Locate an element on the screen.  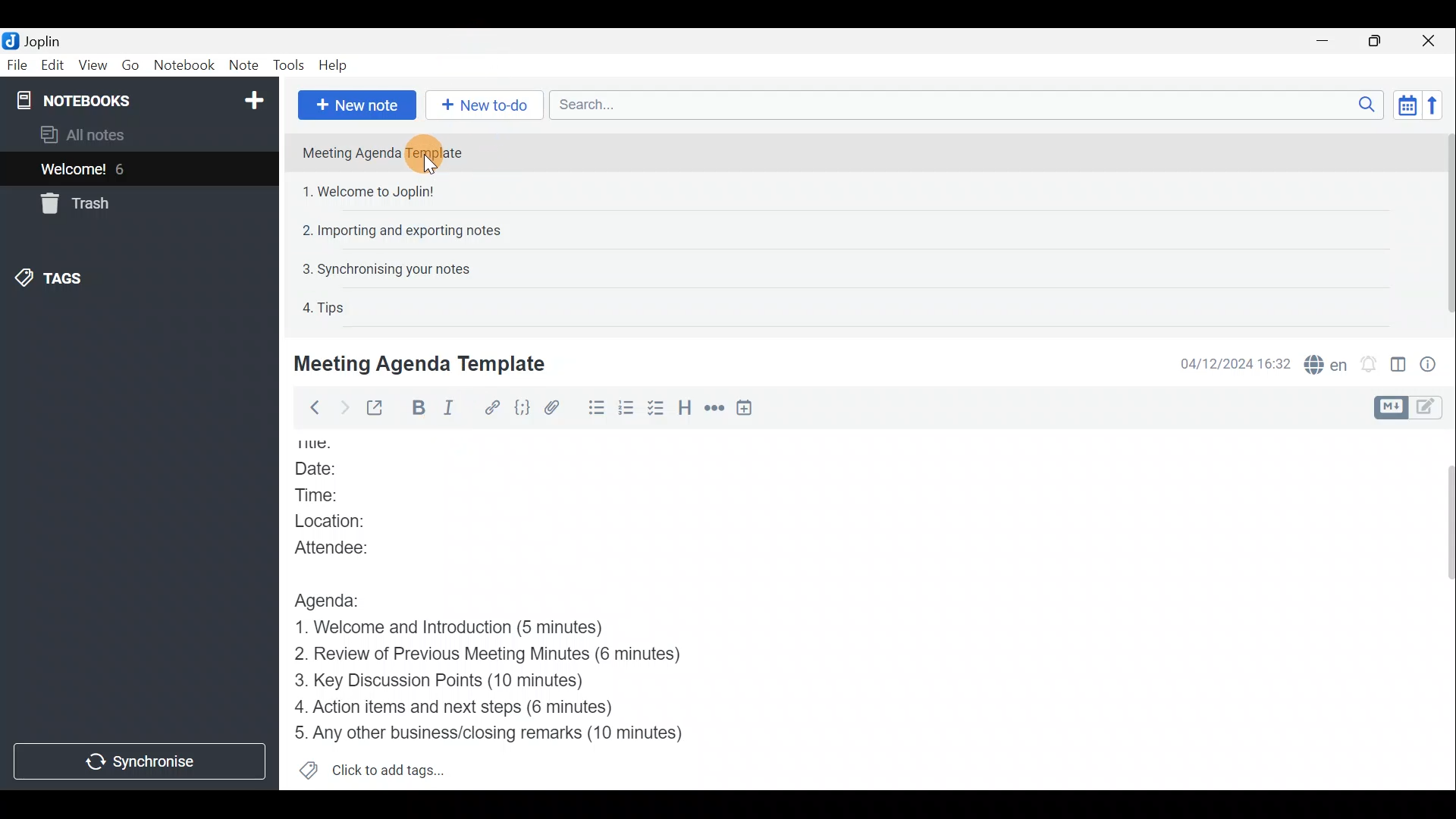
Numbered list is located at coordinates (626, 410).